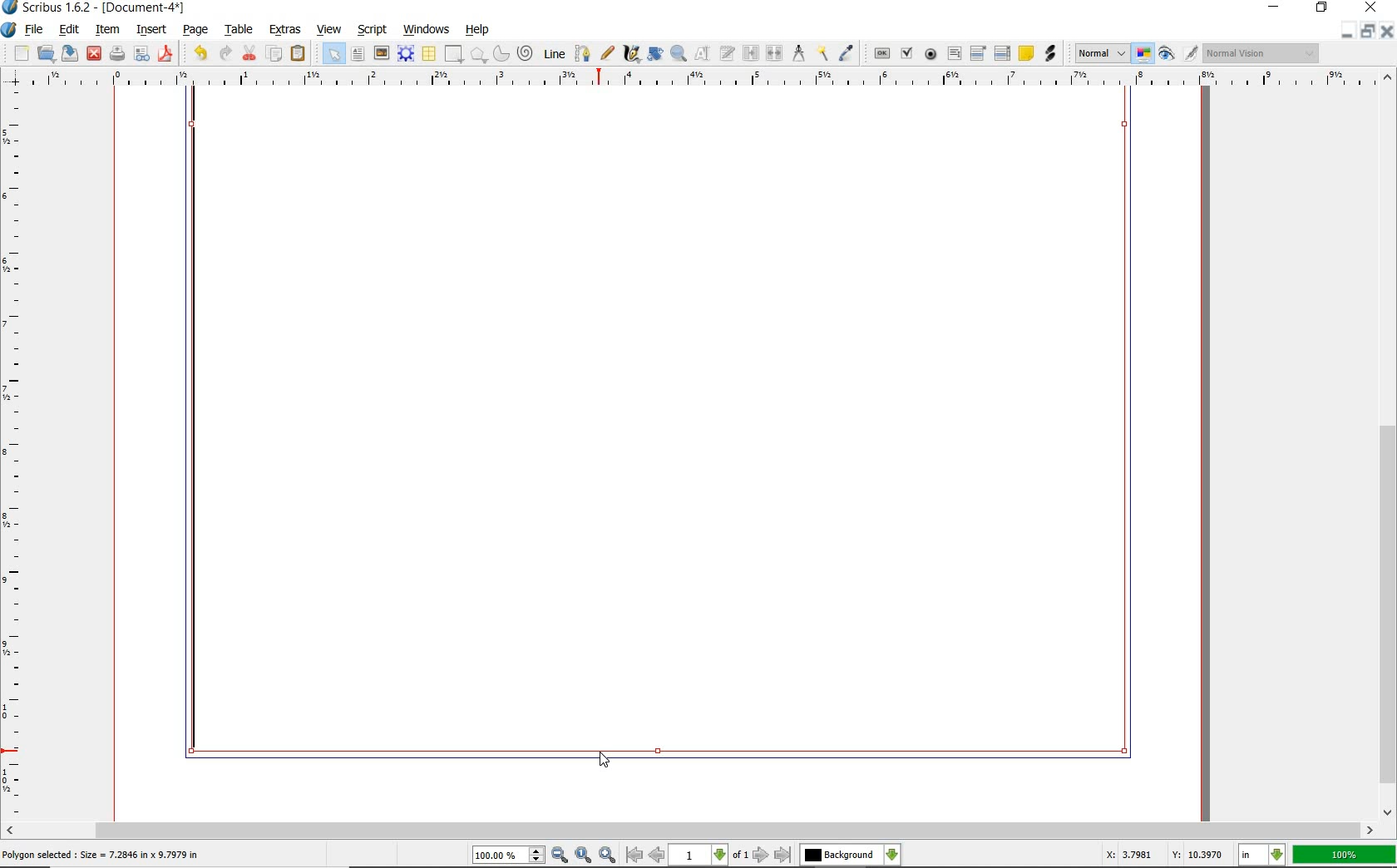 Image resolution: width=1397 pixels, height=868 pixels. I want to click on spiral, so click(526, 53).